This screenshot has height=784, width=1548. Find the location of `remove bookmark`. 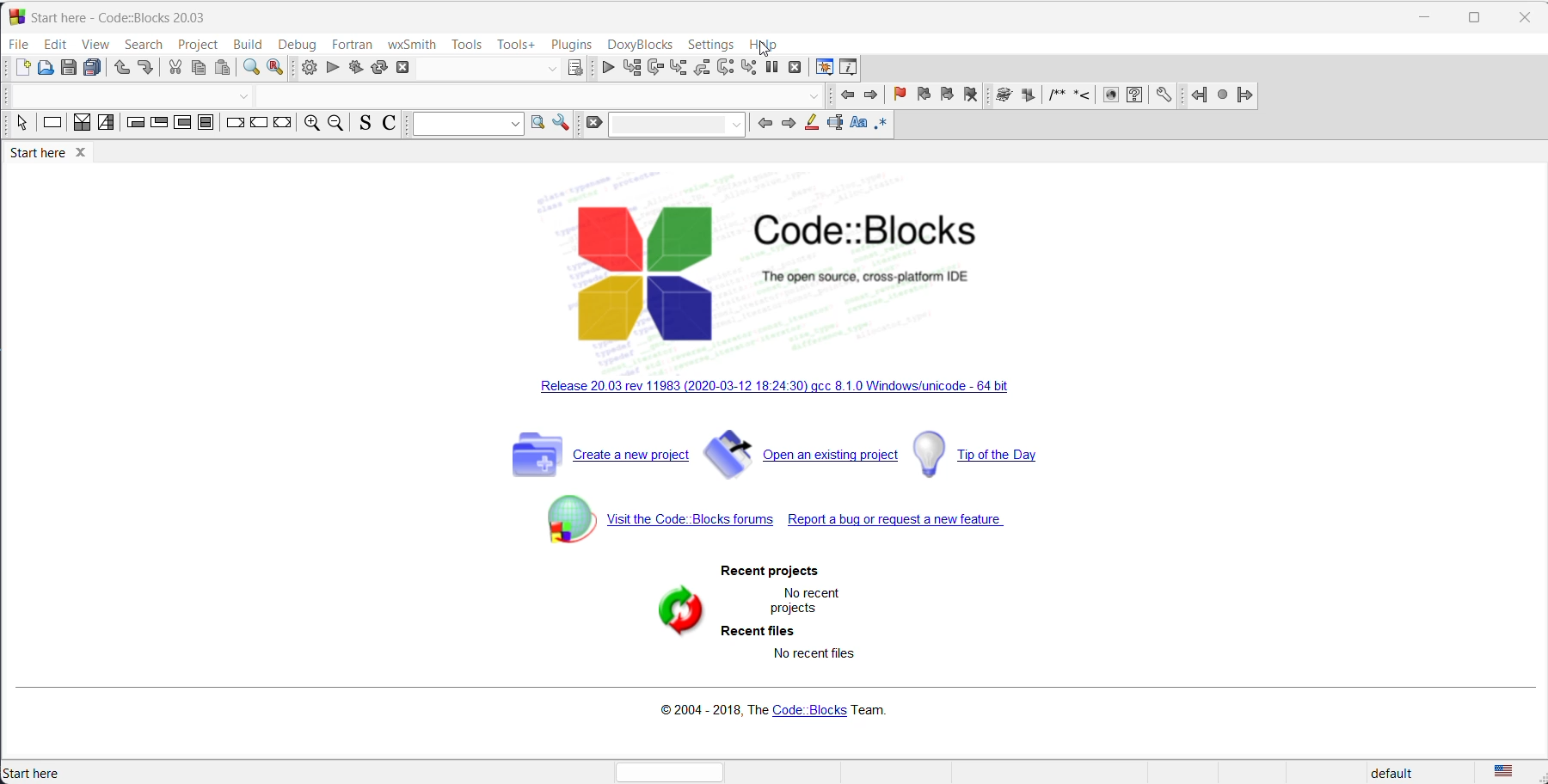

remove bookmark is located at coordinates (973, 97).